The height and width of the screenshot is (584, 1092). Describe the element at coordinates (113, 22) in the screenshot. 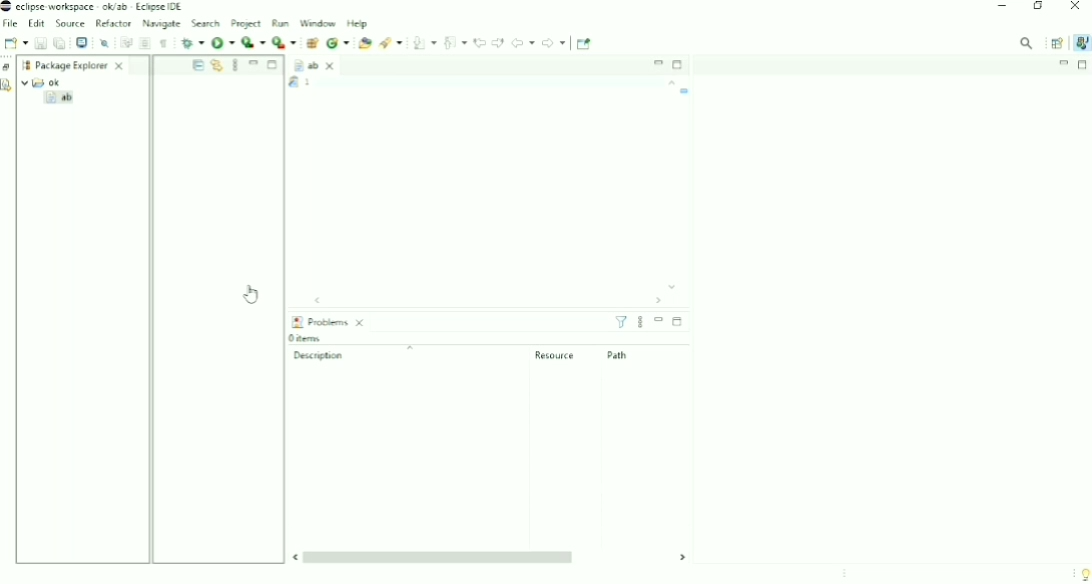

I see `Refactor` at that location.